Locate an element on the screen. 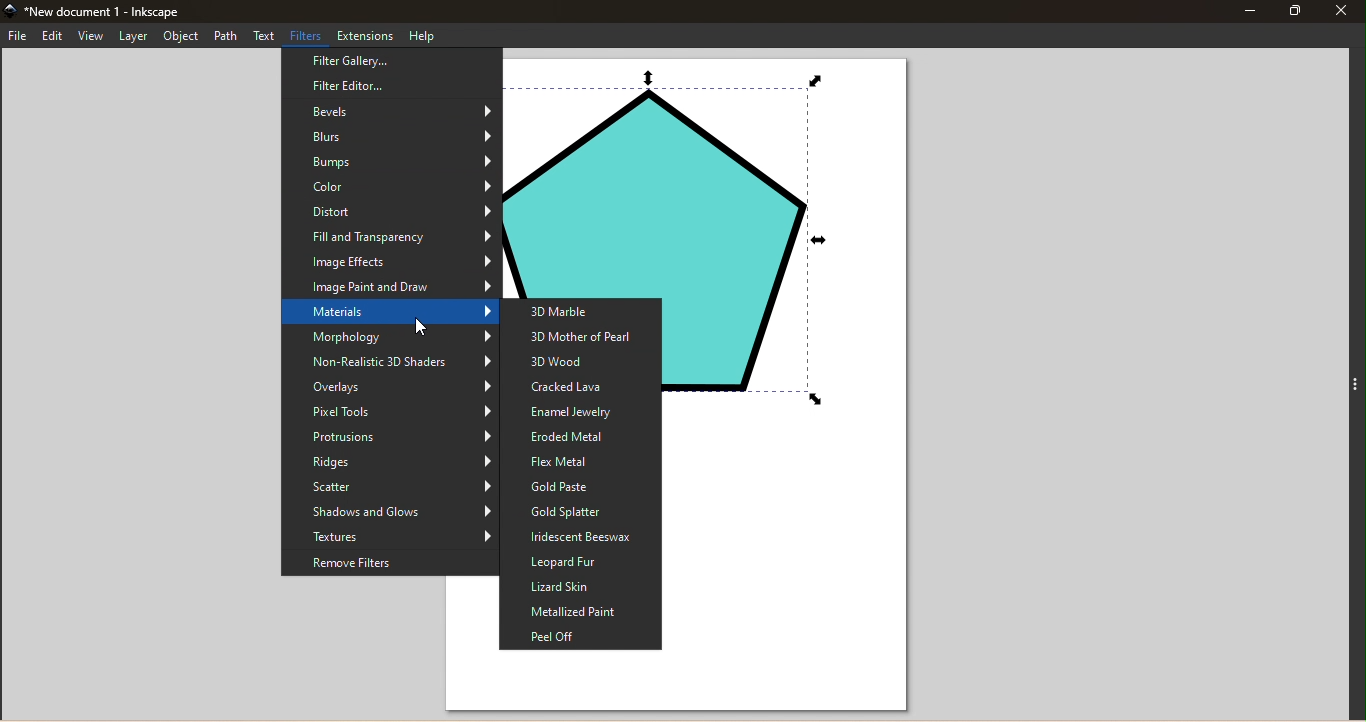 This screenshot has height=722, width=1366. Gold Paste is located at coordinates (580, 487).